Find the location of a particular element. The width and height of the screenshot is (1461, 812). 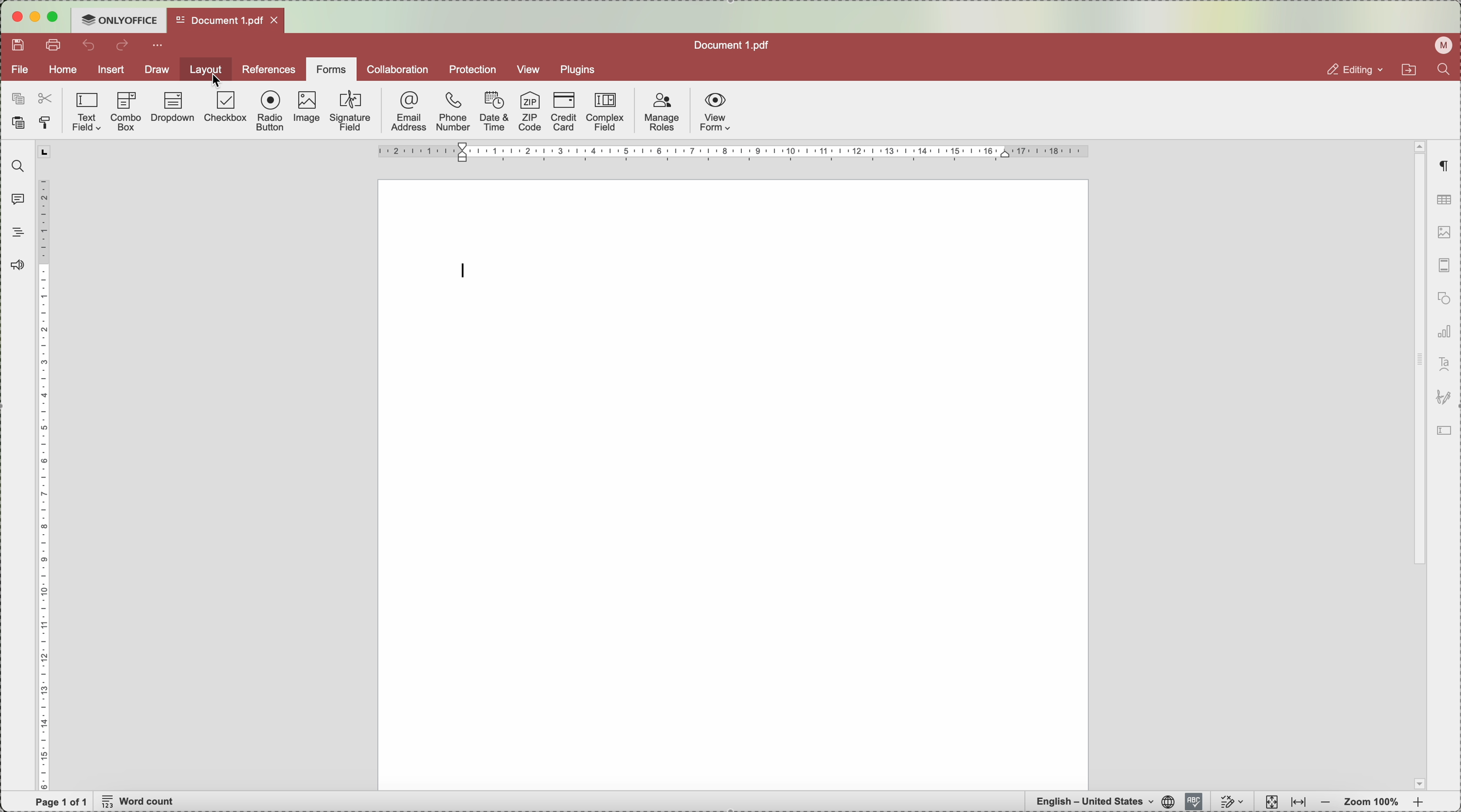

text field is located at coordinates (89, 113).